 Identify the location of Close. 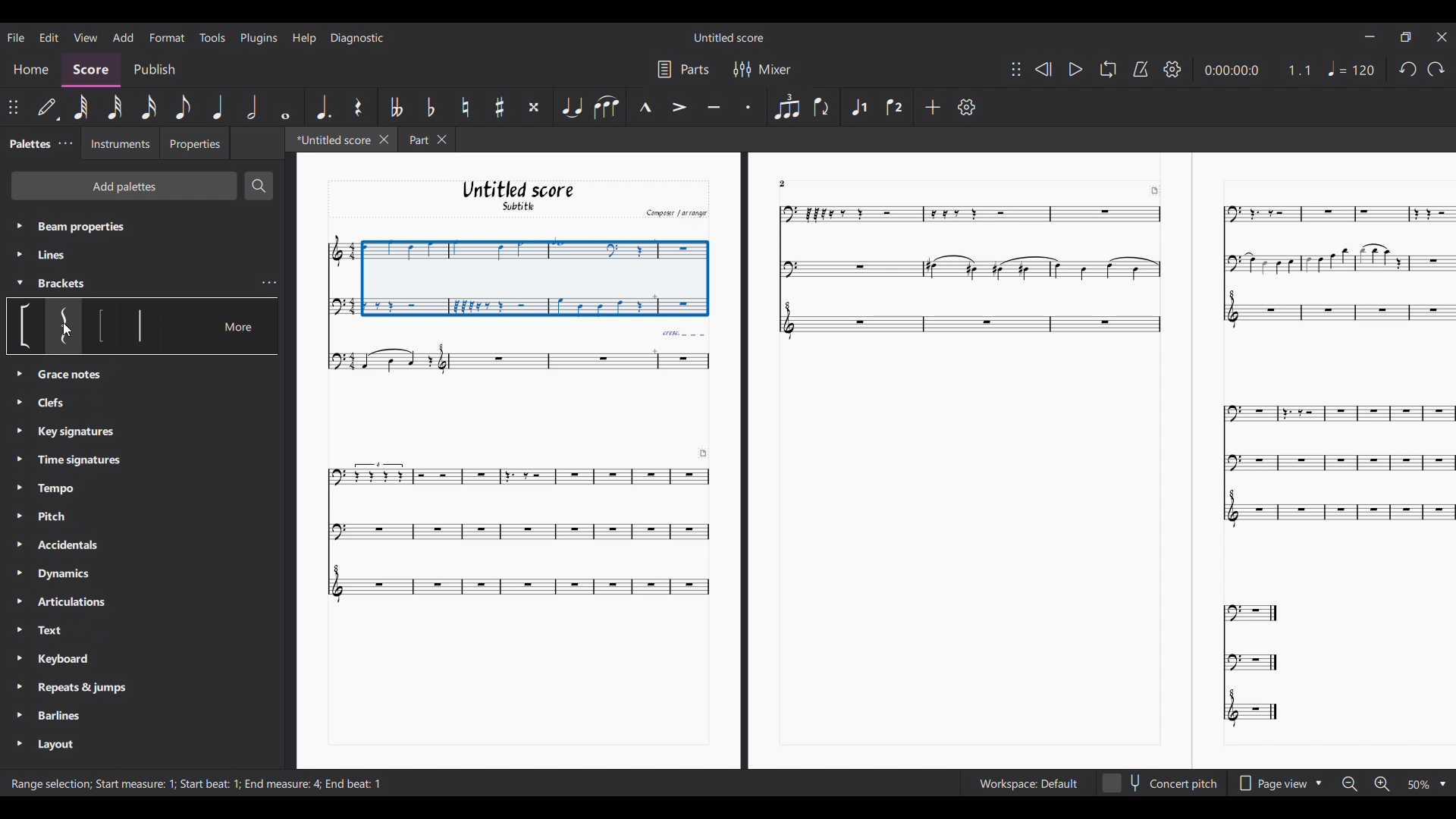
(444, 140).